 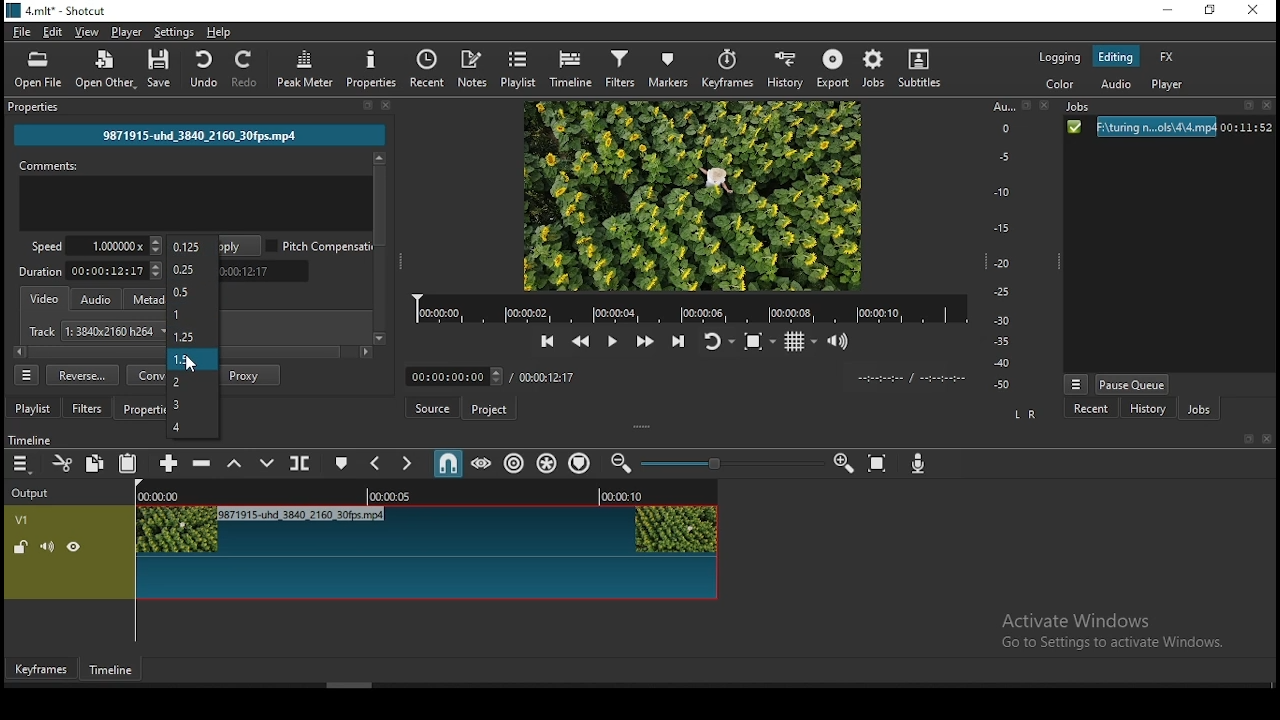 What do you see at coordinates (203, 462) in the screenshot?
I see `ripple delete` at bounding box center [203, 462].